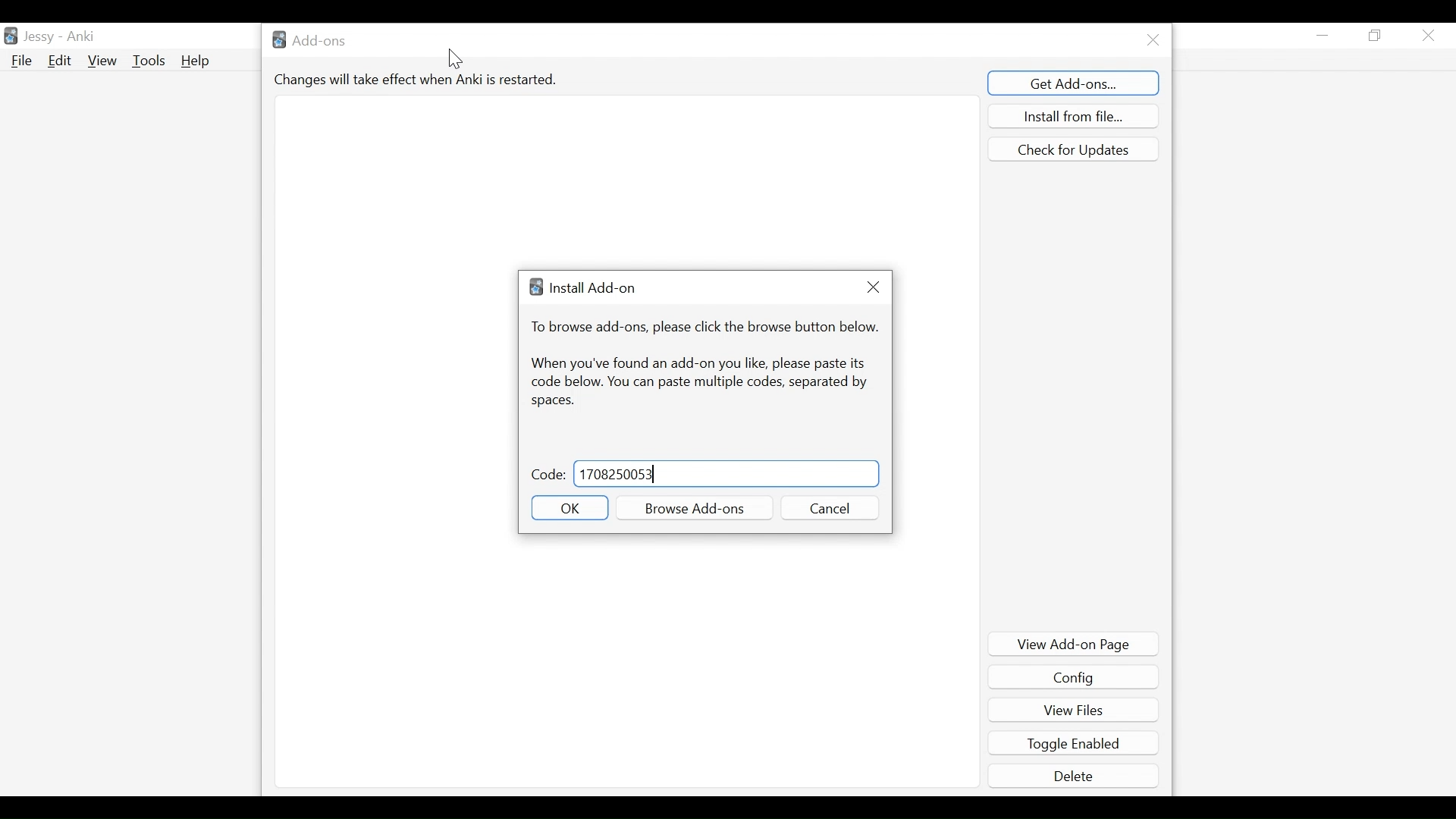  I want to click on cursor, so click(457, 60).